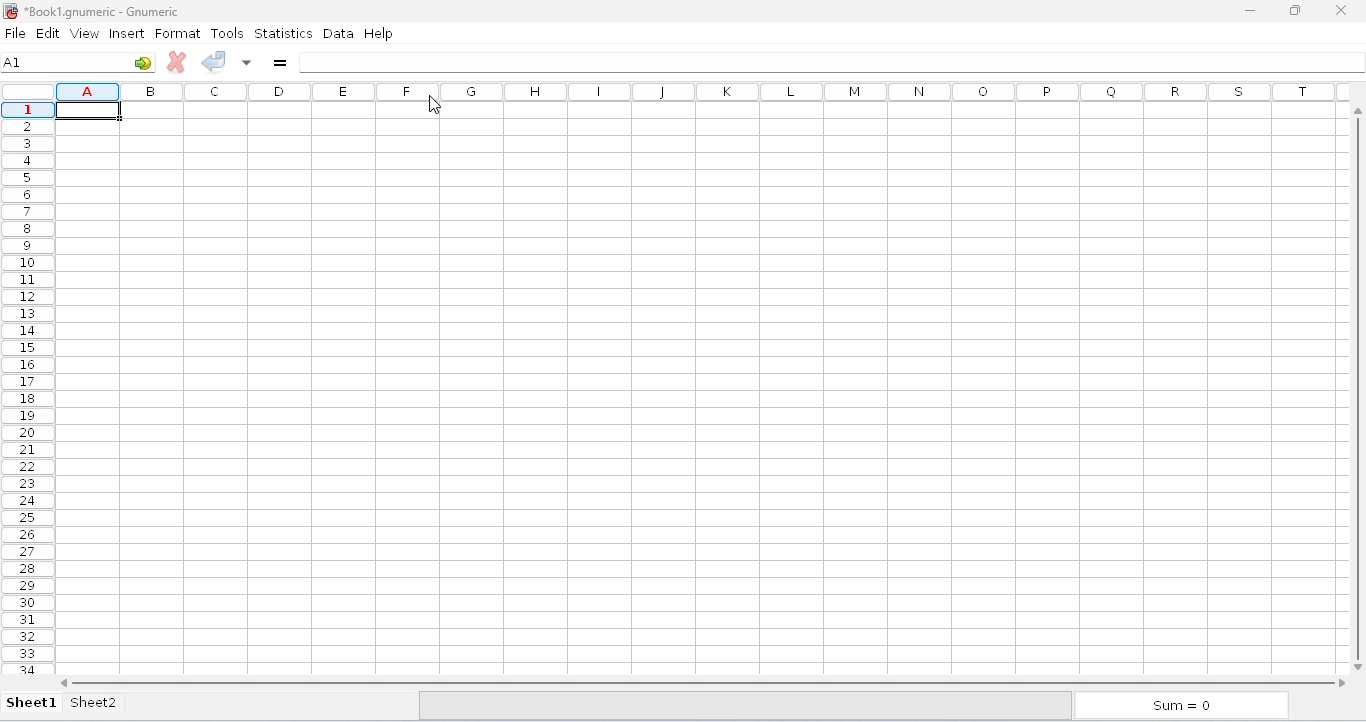 The height and width of the screenshot is (722, 1366). What do you see at coordinates (176, 62) in the screenshot?
I see `cancel change` at bounding box center [176, 62].